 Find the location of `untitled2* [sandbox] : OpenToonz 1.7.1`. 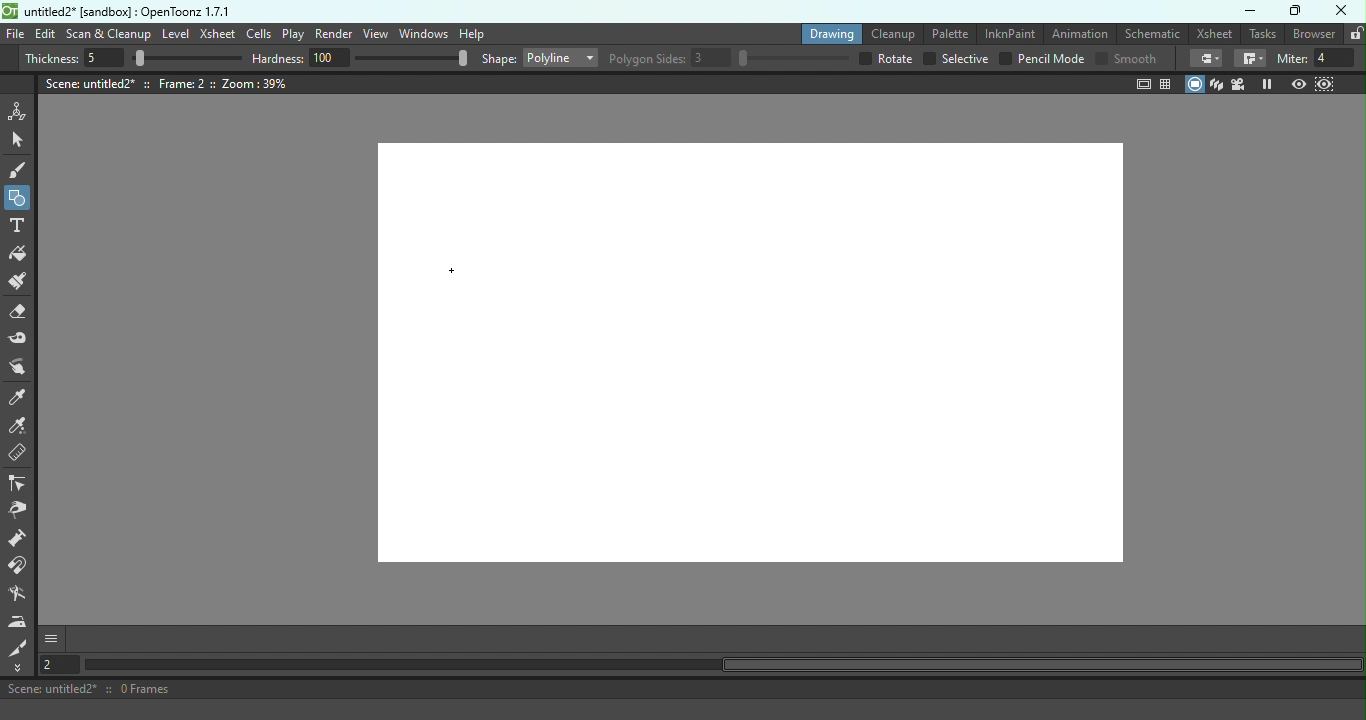

untitled2* [sandbox] : OpenToonz 1.7.1 is located at coordinates (116, 10).